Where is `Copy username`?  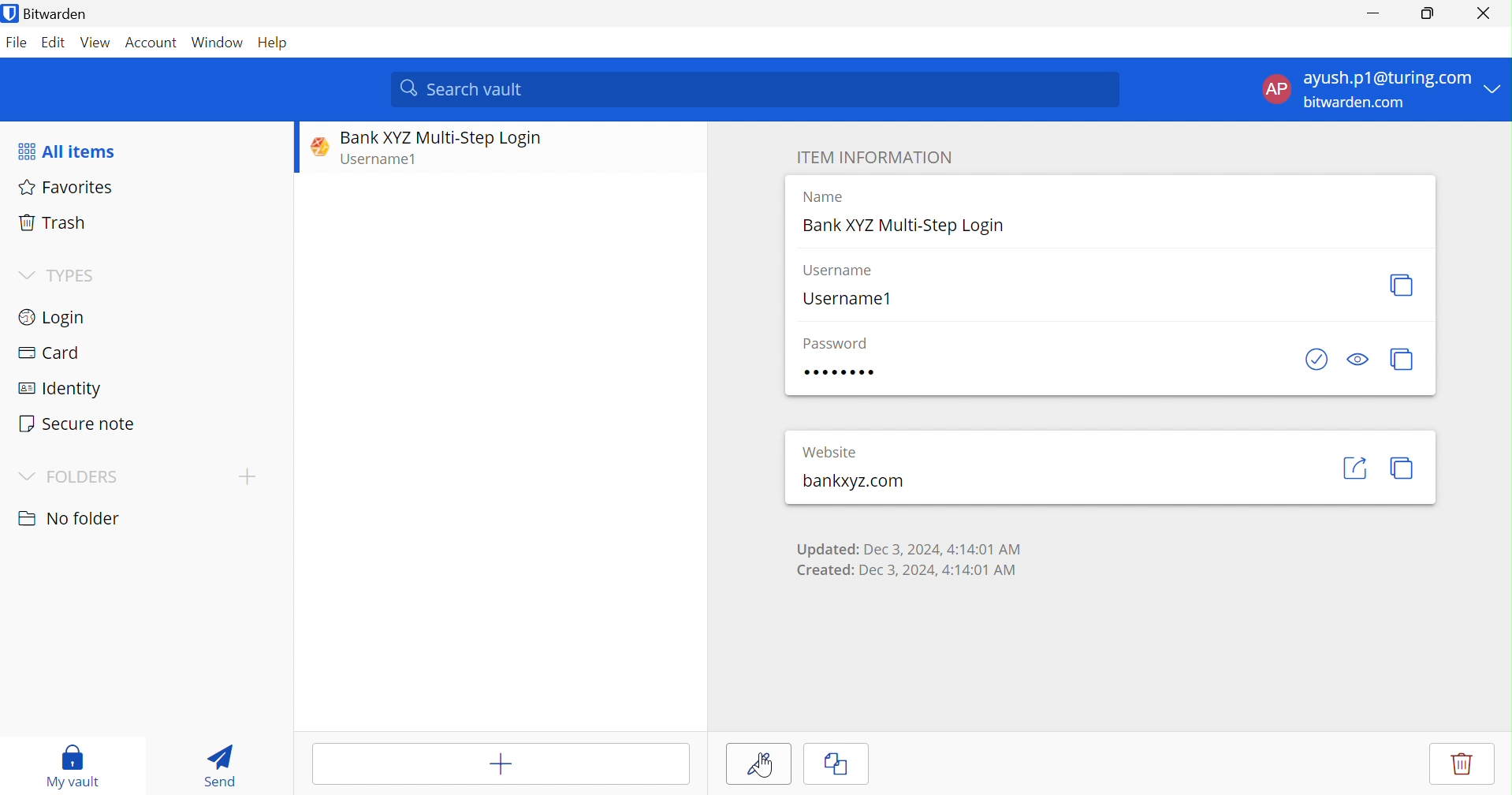 Copy username is located at coordinates (1403, 285).